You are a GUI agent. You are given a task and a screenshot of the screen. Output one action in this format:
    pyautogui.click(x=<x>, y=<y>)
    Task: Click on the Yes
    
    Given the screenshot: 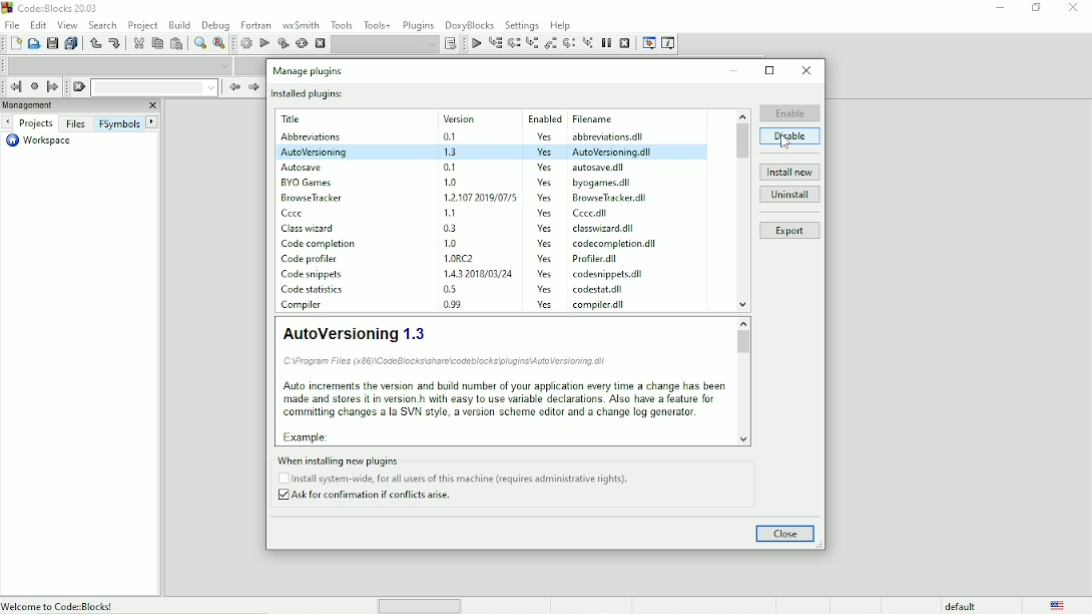 What is the action you would take?
    pyautogui.click(x=544, y=135)
    